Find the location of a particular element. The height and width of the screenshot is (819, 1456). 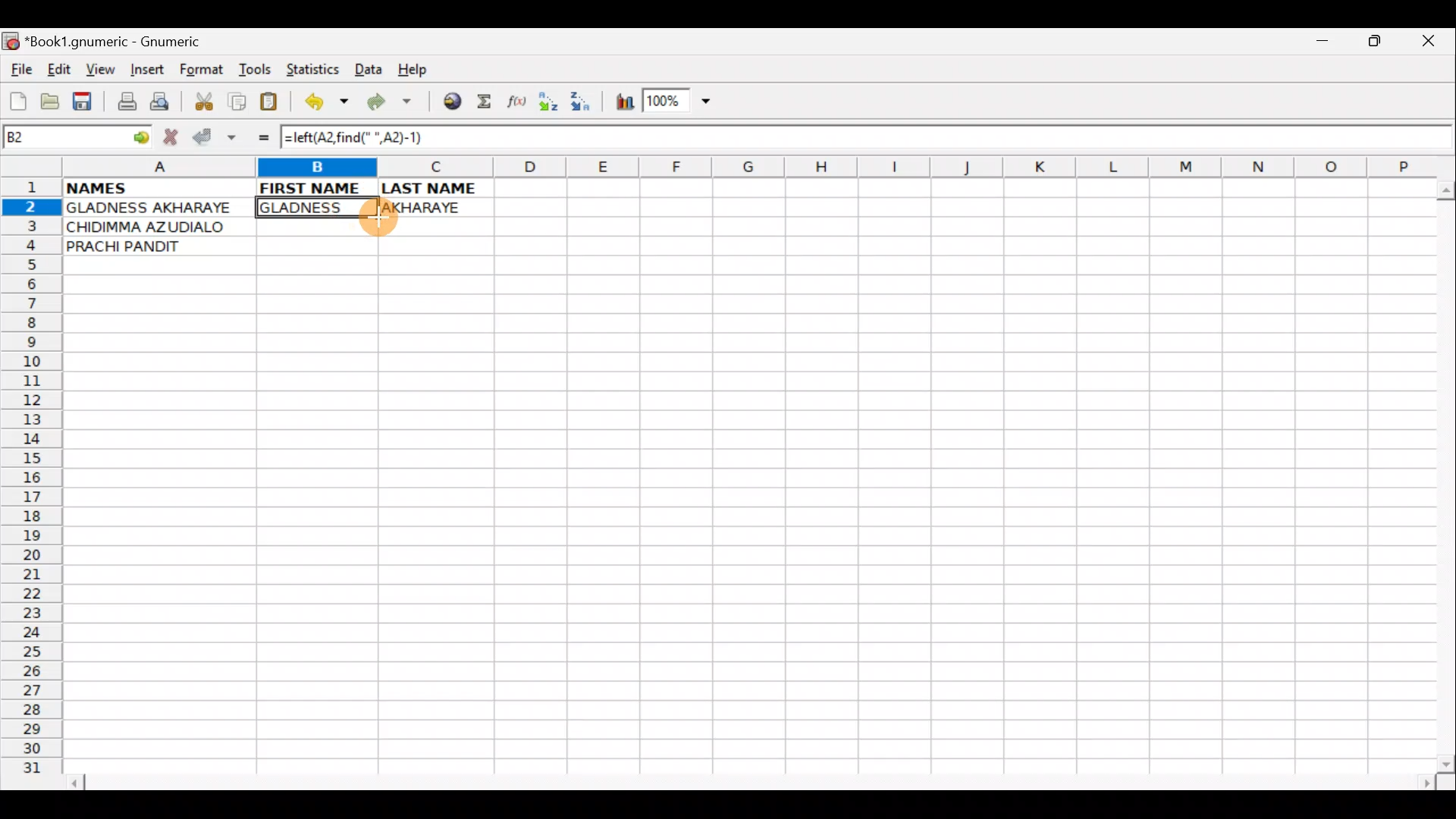

Open a file is located at coordinates (53, 99).